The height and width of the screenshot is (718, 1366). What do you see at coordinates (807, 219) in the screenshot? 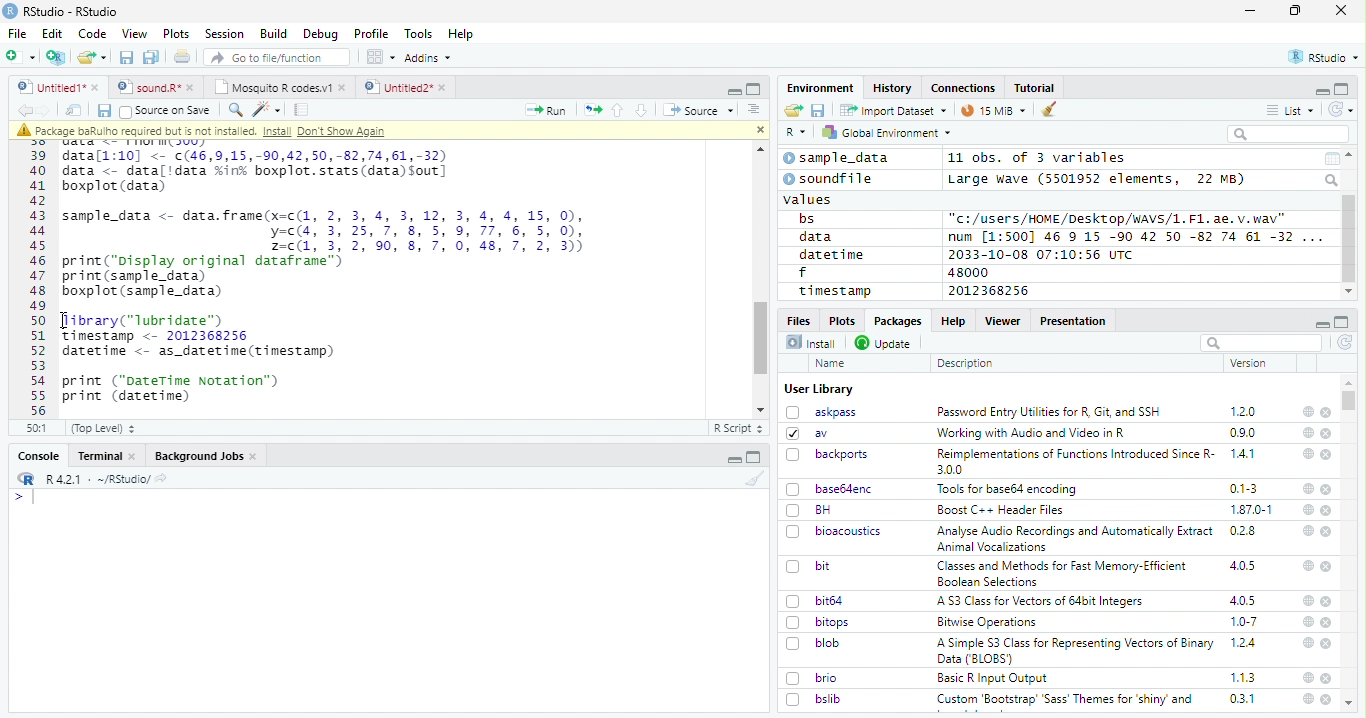
I see `bs` at bounding box center [807, 219].